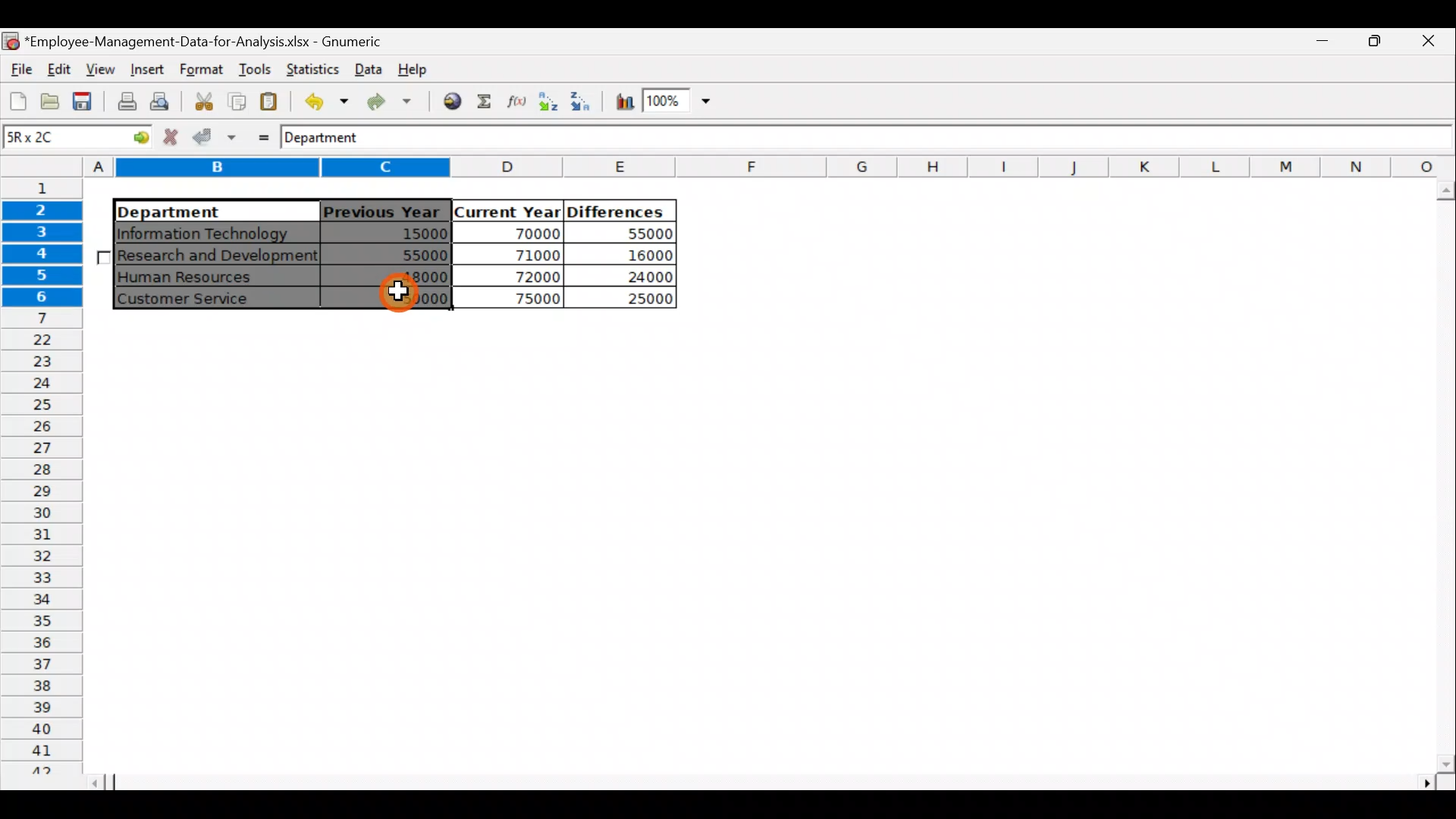  Describe the element at coordinates (199, 70) in the screenshot. I see `Format` at that location.